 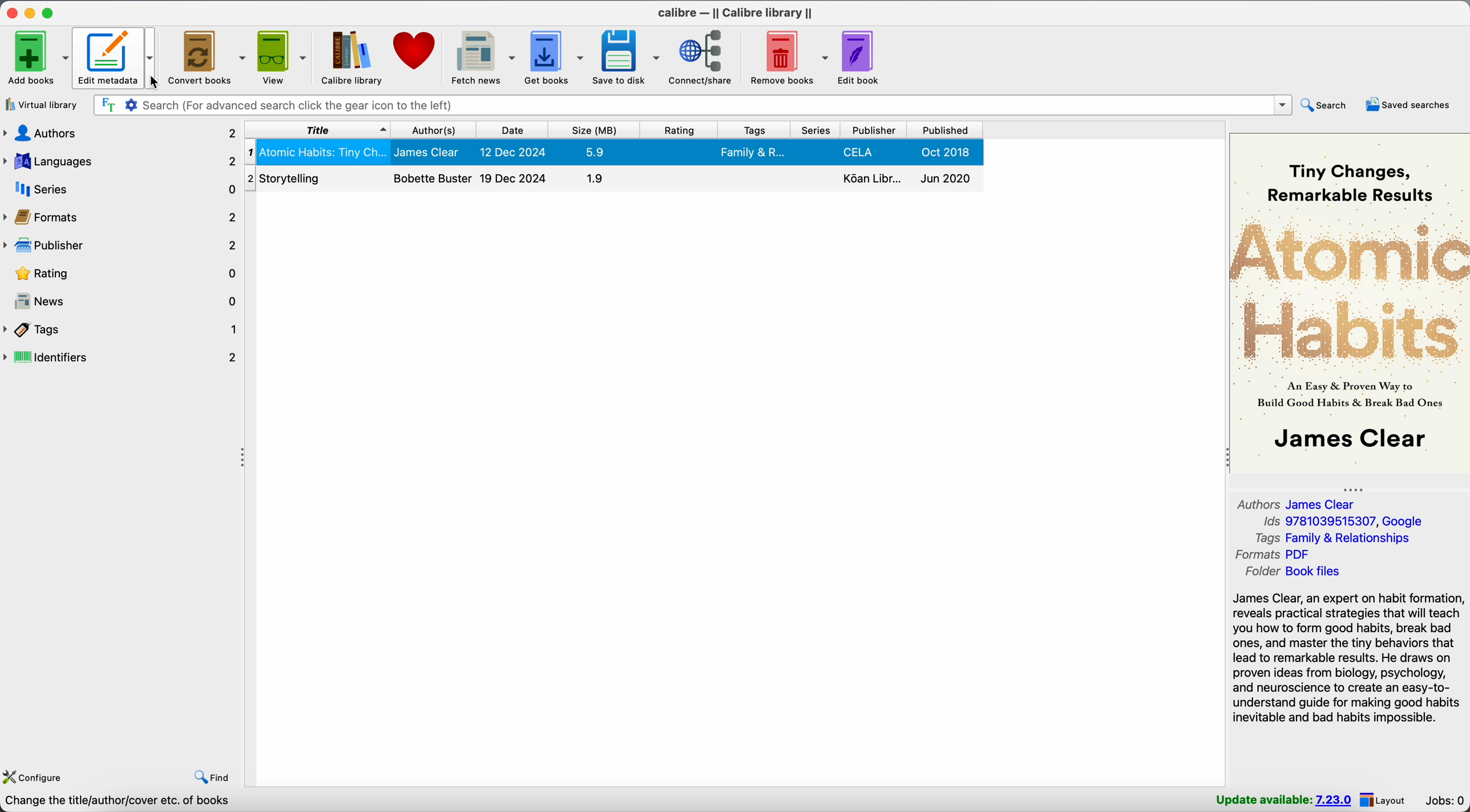 What do you see at coordinates (32, 13) in the screenshot?
I see `minimize Calibre` at bounding box center [32, 13].